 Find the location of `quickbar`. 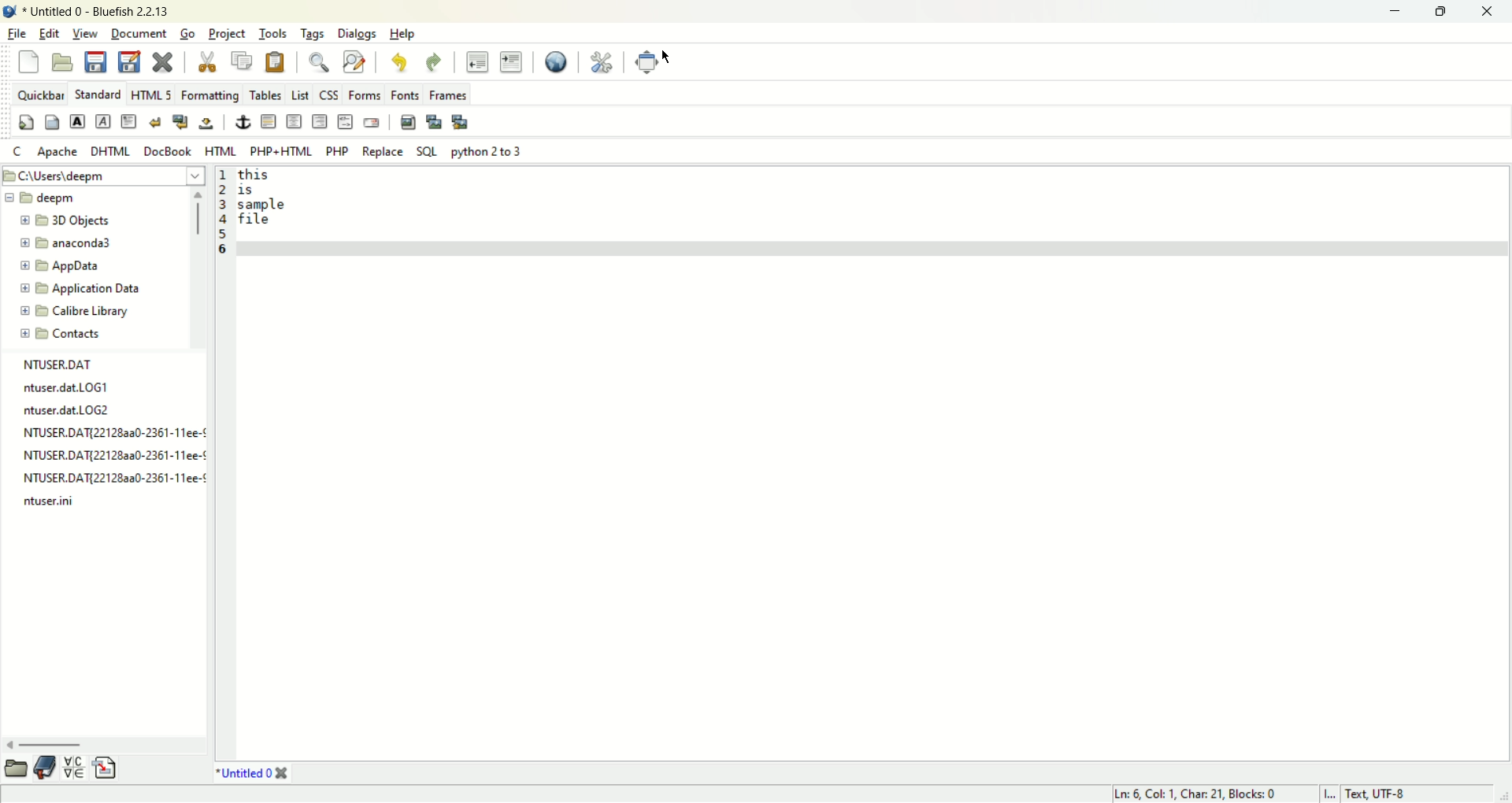

quickbar is located at coordinates (44, 94).